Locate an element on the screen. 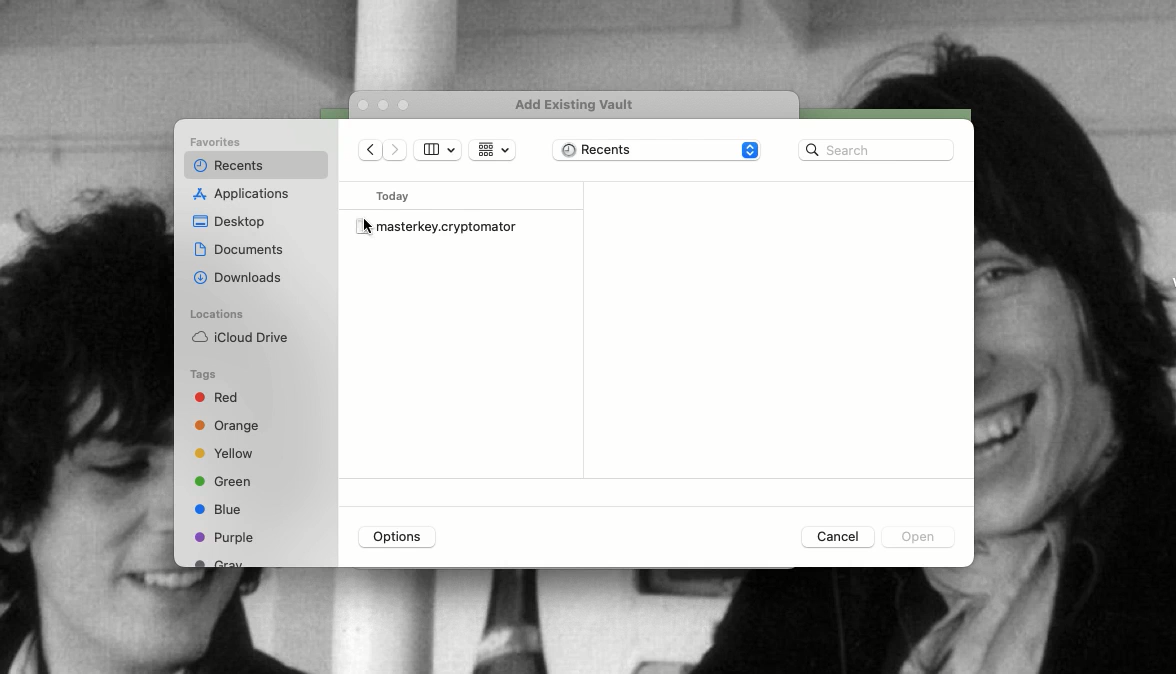  Add existing vault is located at coordinates (581, 105).